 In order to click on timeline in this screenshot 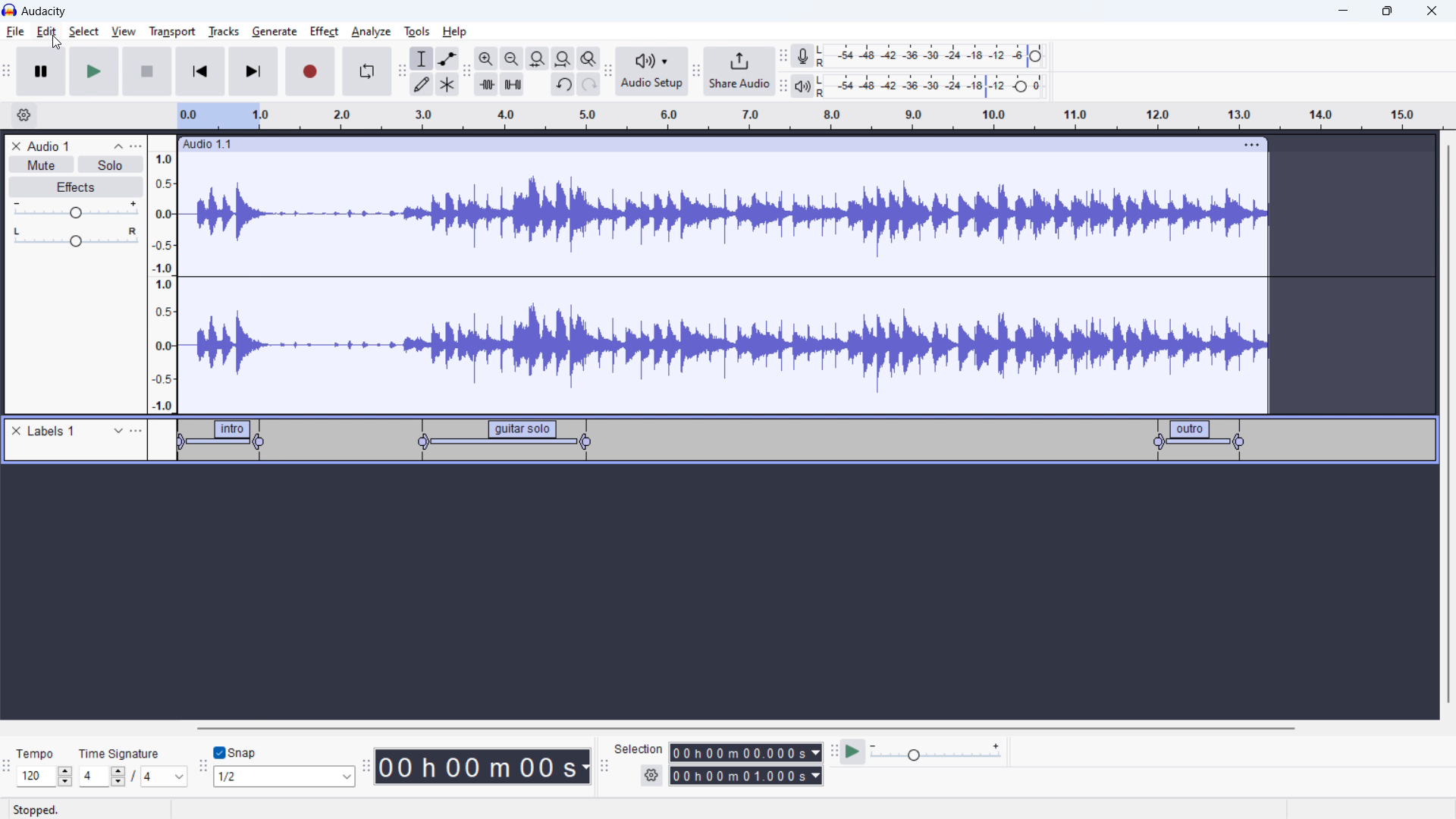, I will do `click(724, 594)`.